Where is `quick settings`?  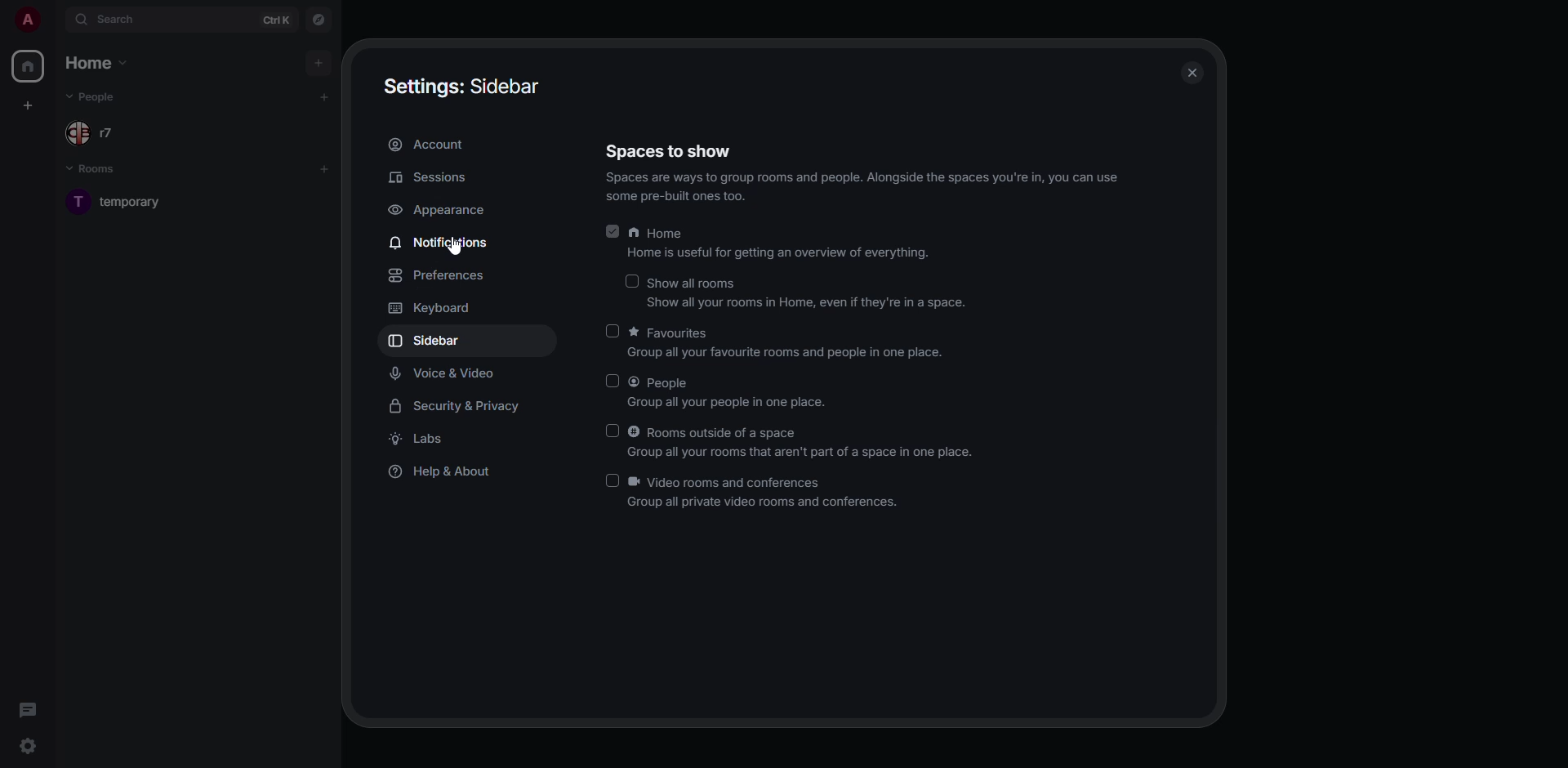 quick settings is located at coordinates (27, 746).